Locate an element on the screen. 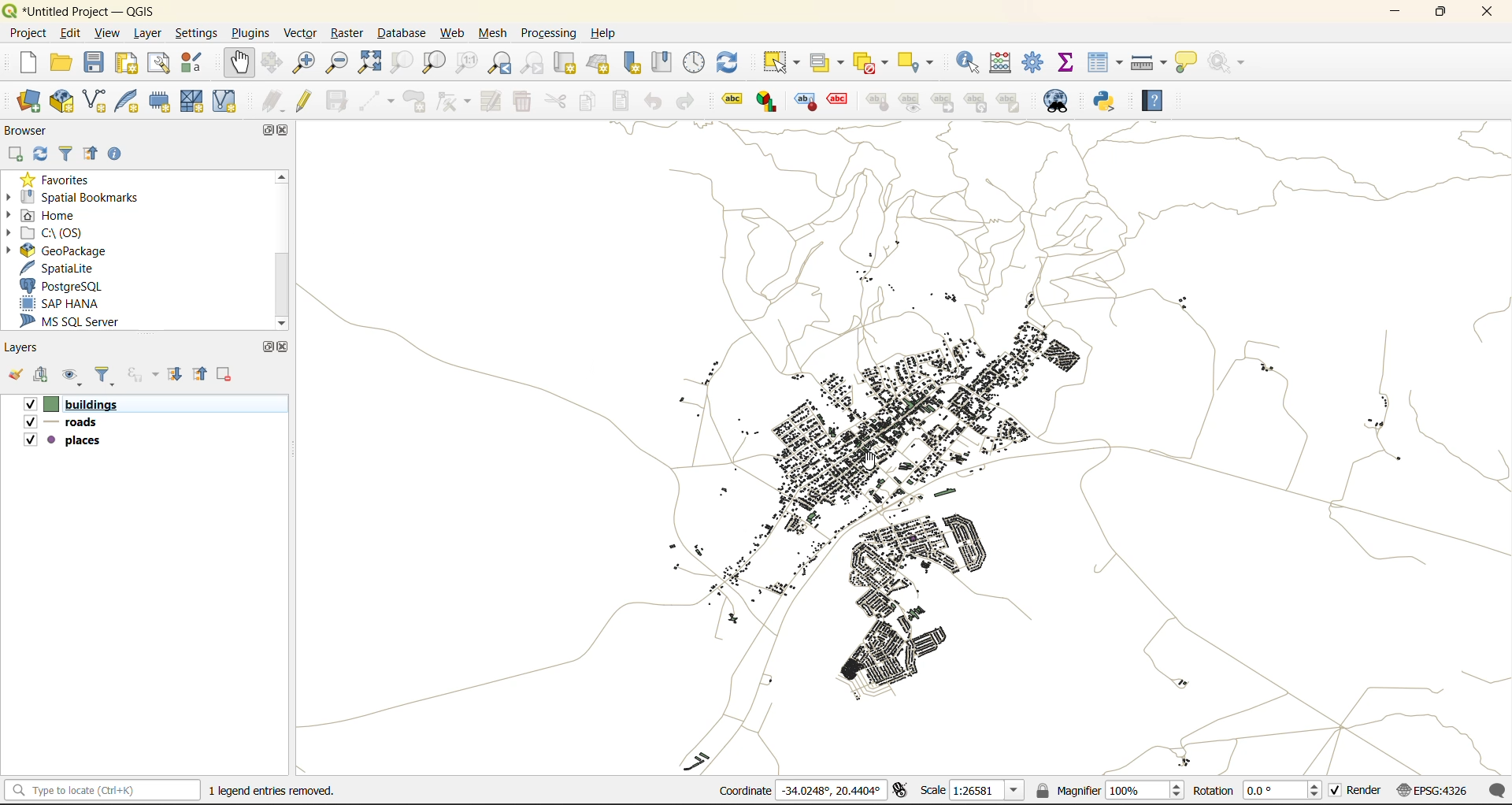 This screenshot has height=805, width=1512. expand all is located at coordinates (177, 375).